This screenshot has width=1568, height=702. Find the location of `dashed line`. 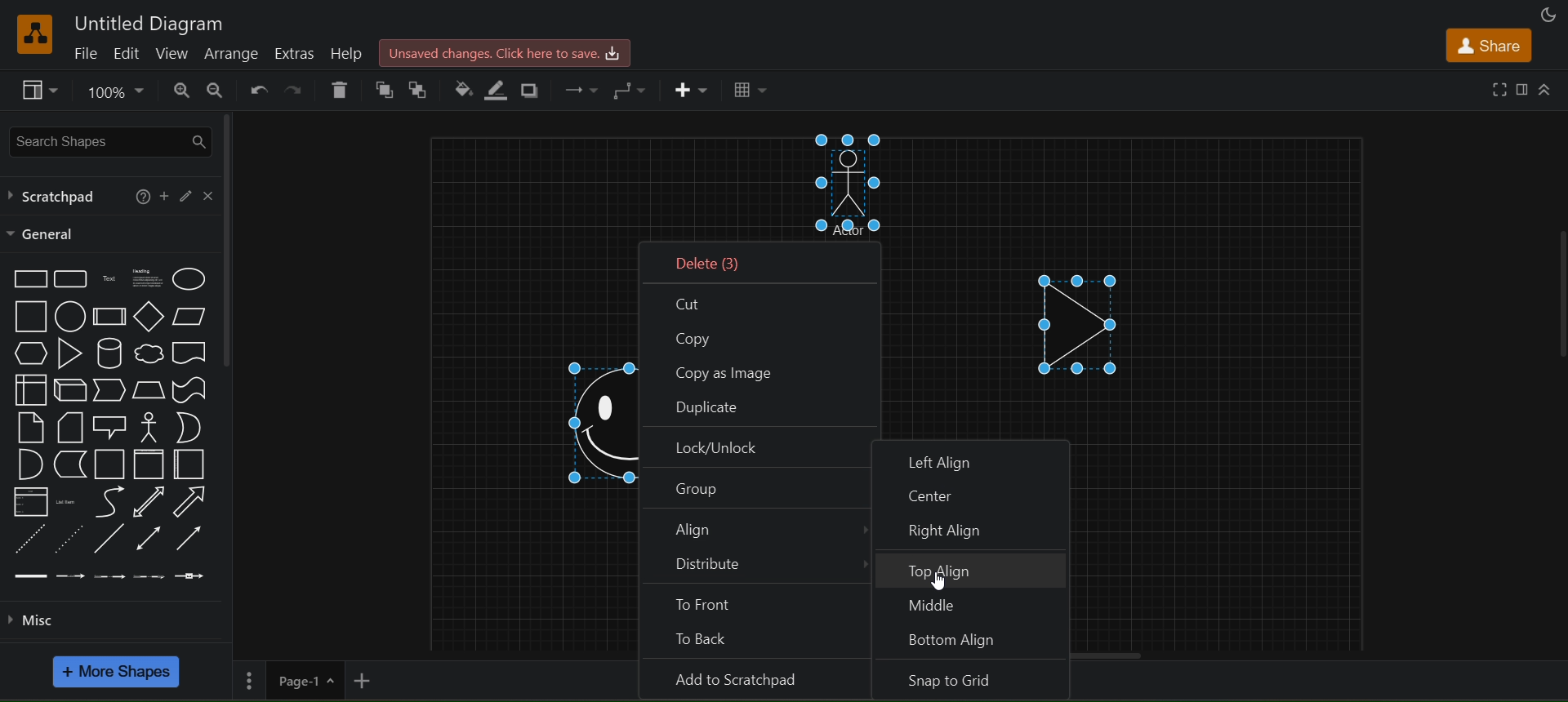

dashed line is located at coordinates (33, 539).